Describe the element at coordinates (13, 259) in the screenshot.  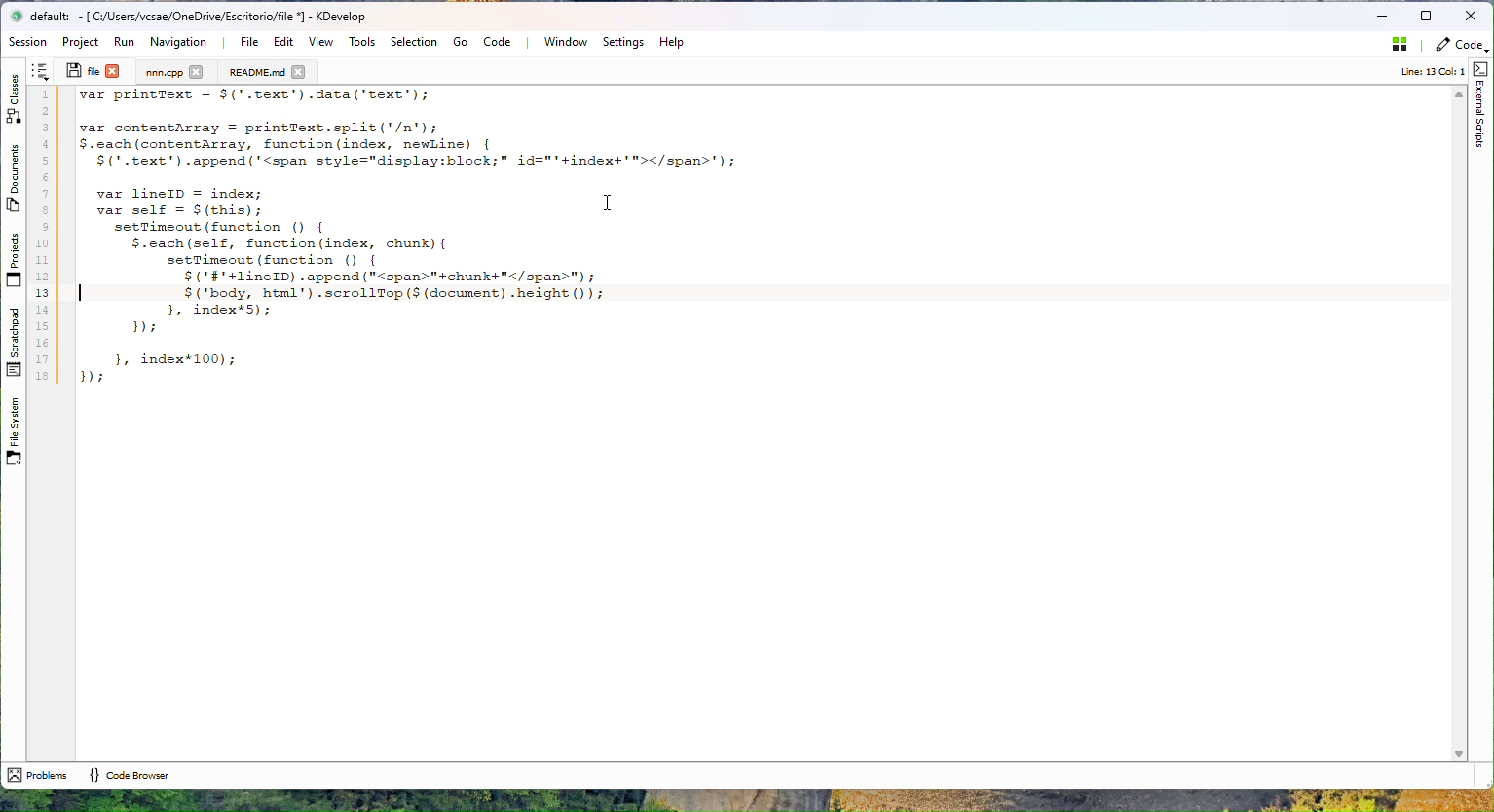
I see `Projects` at that location.